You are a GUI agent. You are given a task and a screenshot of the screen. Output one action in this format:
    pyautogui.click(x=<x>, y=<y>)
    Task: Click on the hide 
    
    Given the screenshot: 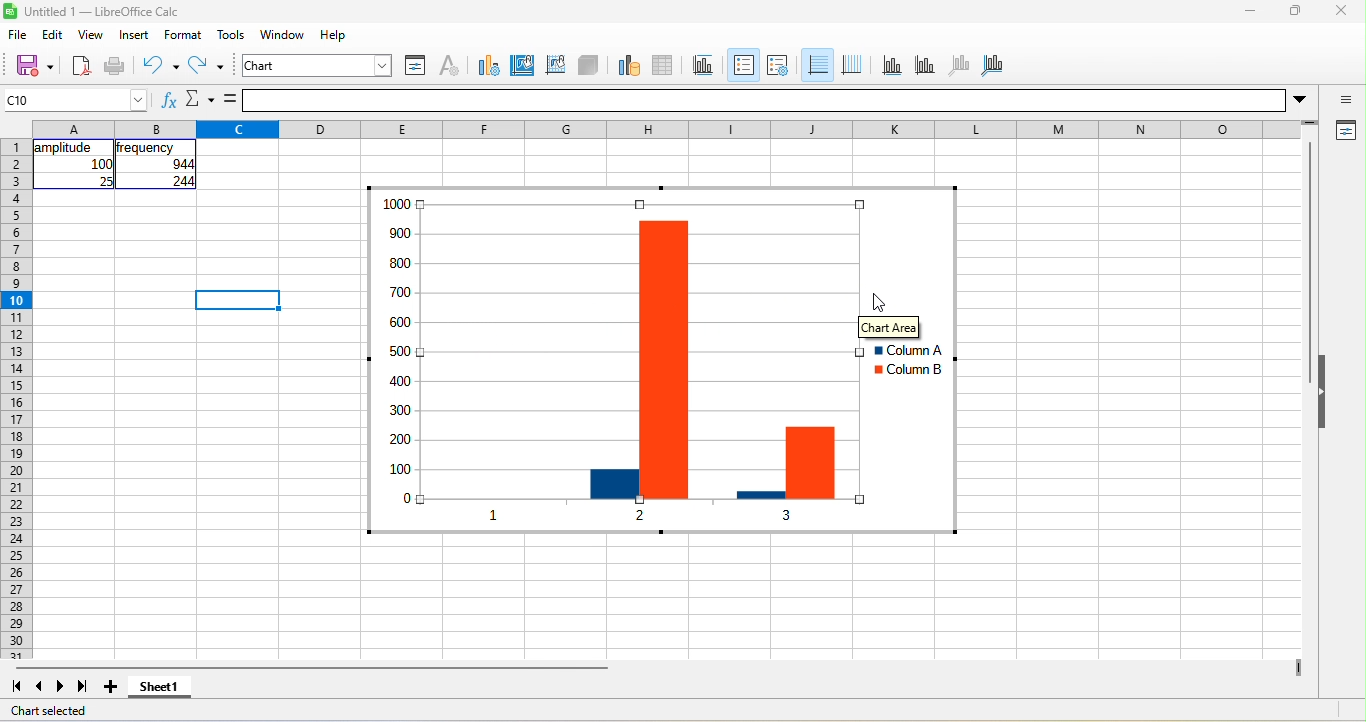 What is the action you would take?
    pyautogui.click(x=1325, y=393)
    